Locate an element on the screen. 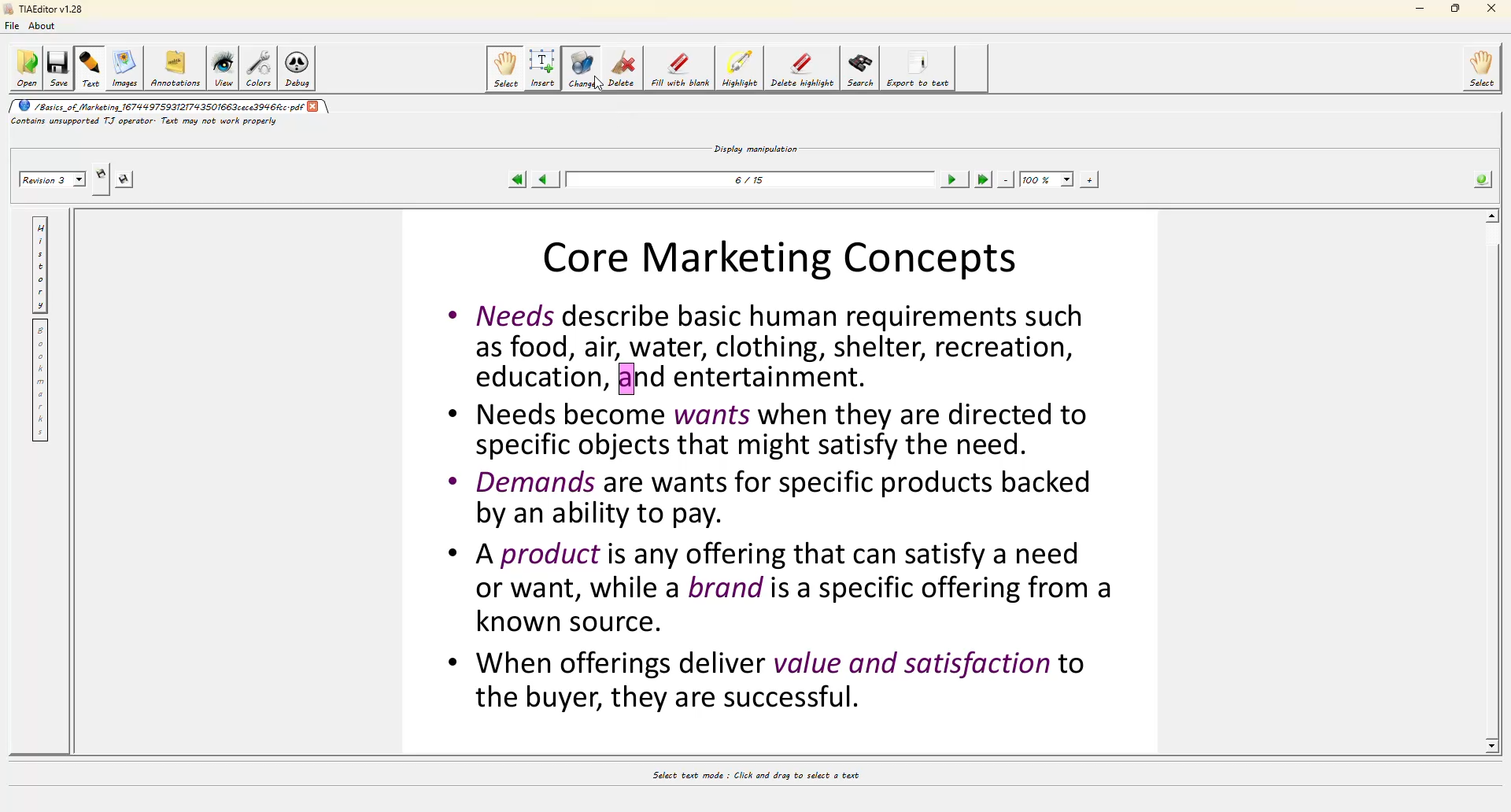 This screenshot has width=1511, height=812. open is located at coordinates (24, 68).